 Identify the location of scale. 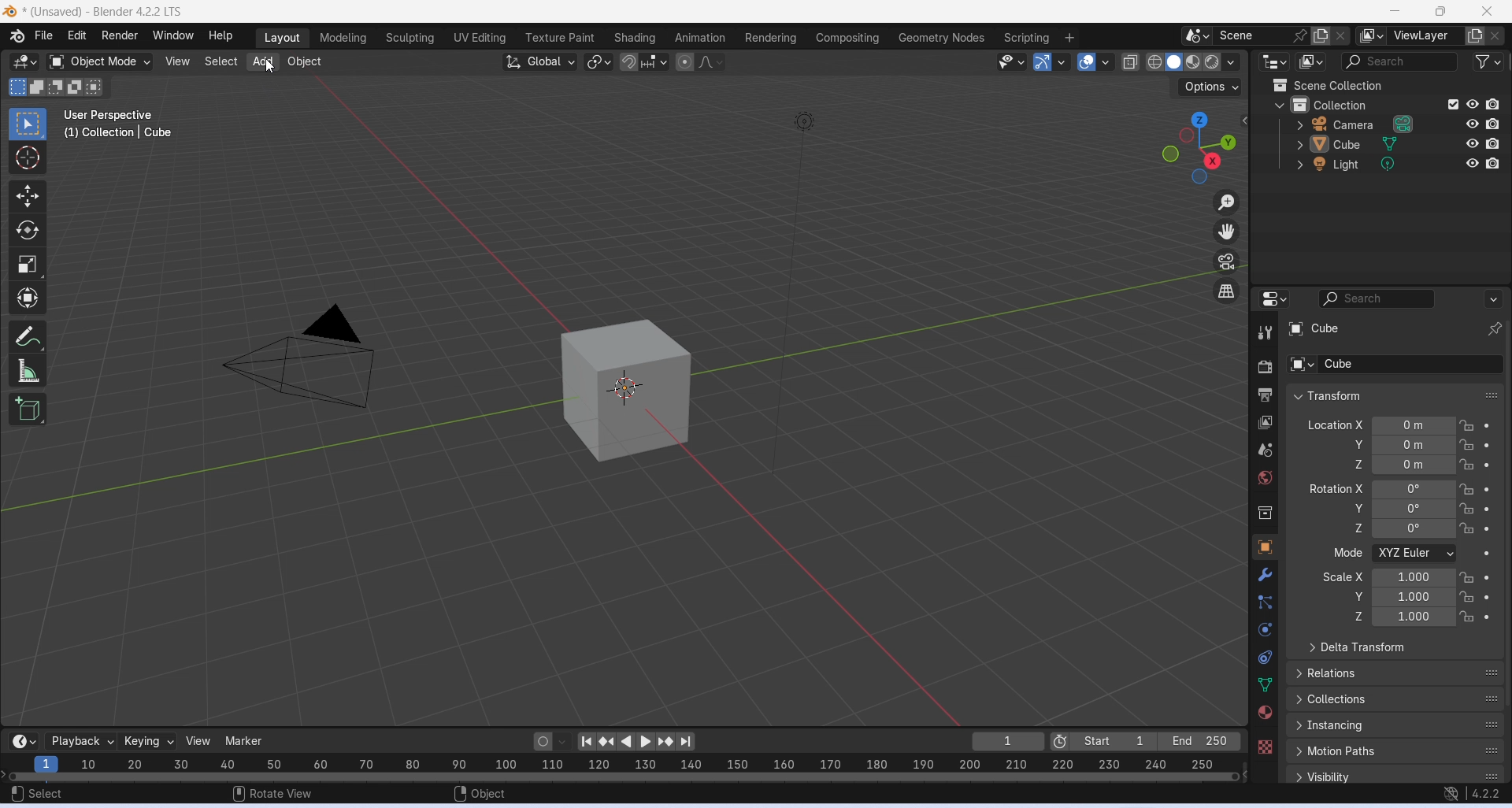
(1414, 597).